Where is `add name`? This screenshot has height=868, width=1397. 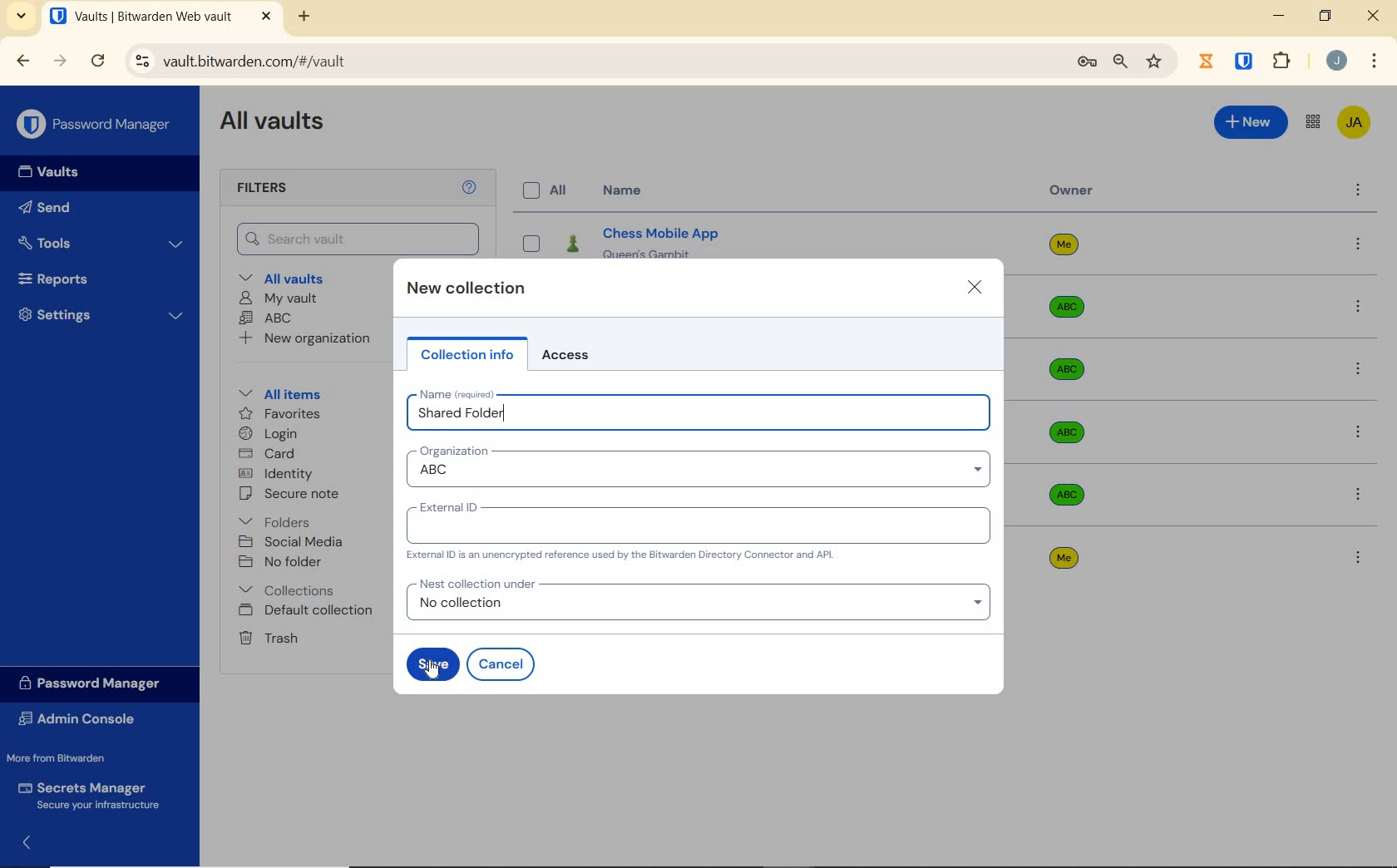
add name is located at coordinates (697, 417).